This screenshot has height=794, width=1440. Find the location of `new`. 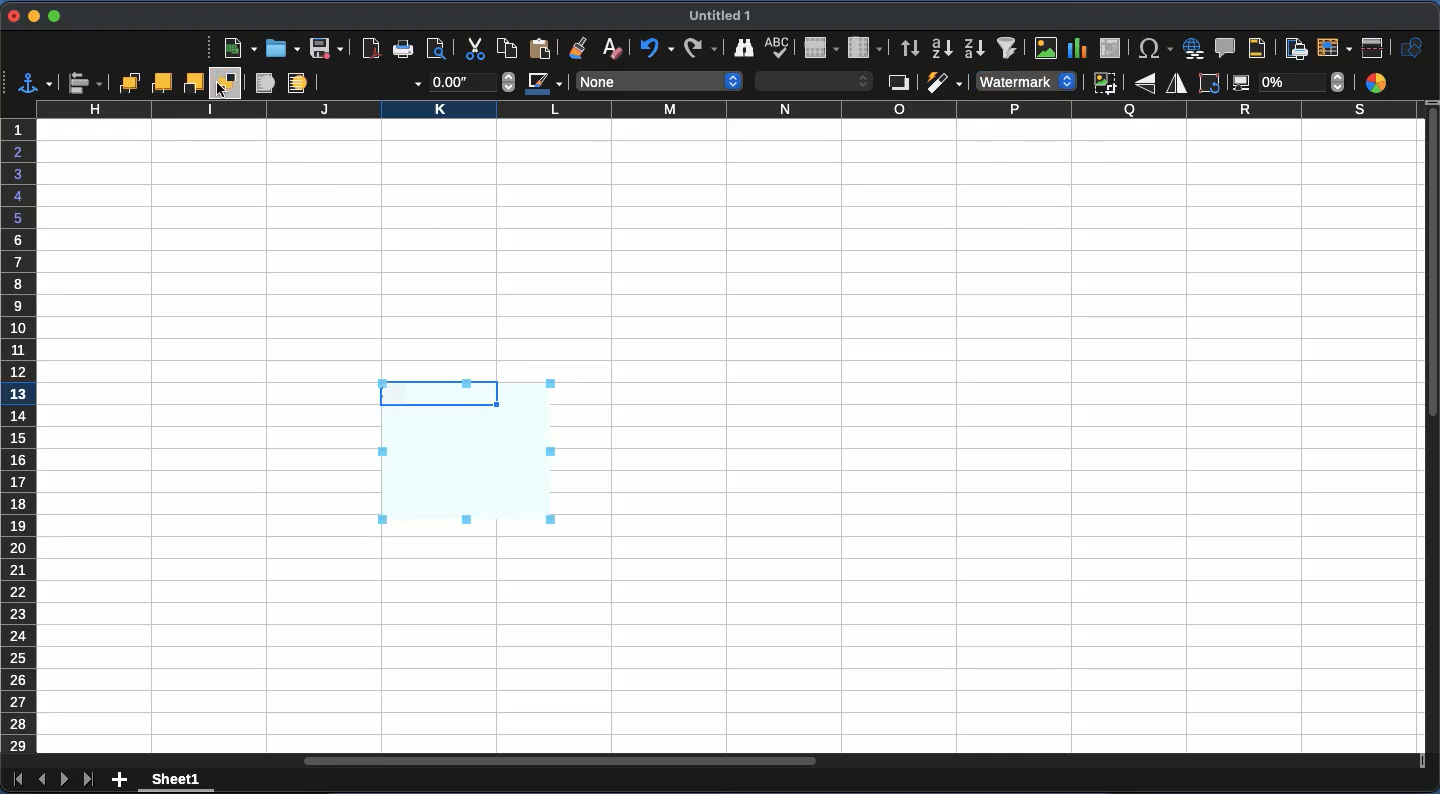

new is located at coordinates (239, 49).